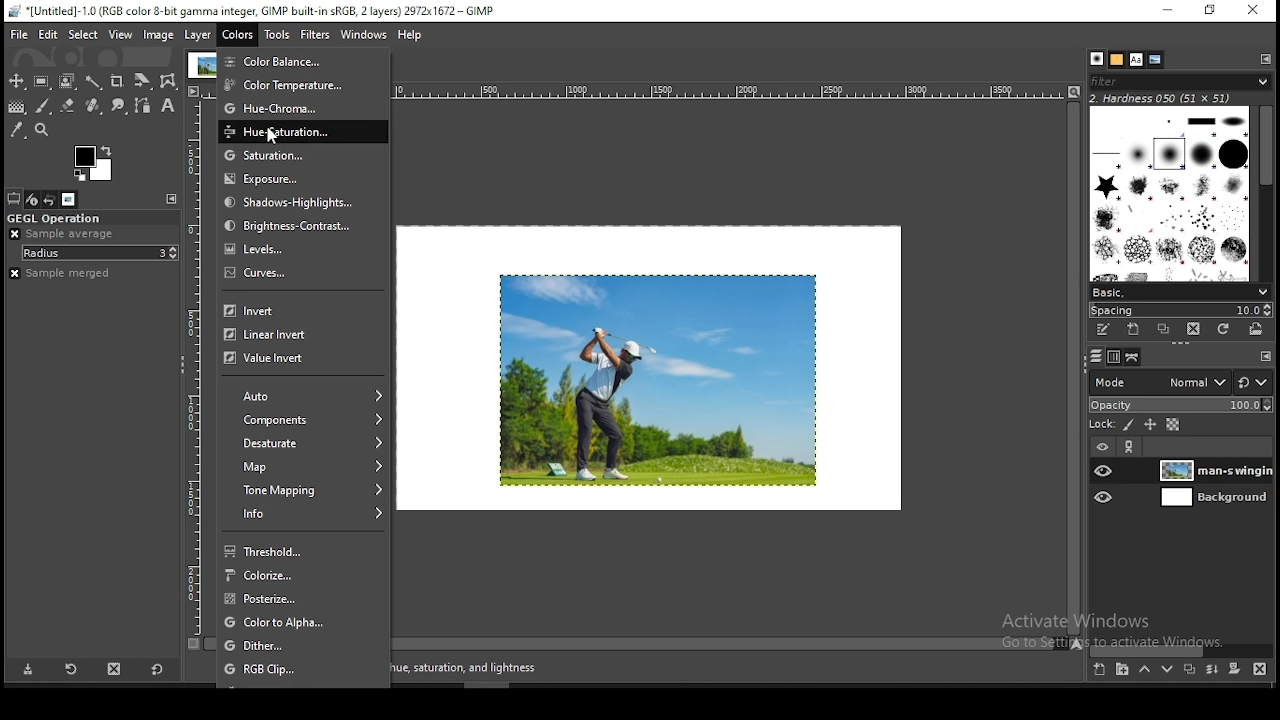  What do you see at coordinates (1135, 331) in the screenshot?
I see `create a new brush` at bounding box center [1135, 331].